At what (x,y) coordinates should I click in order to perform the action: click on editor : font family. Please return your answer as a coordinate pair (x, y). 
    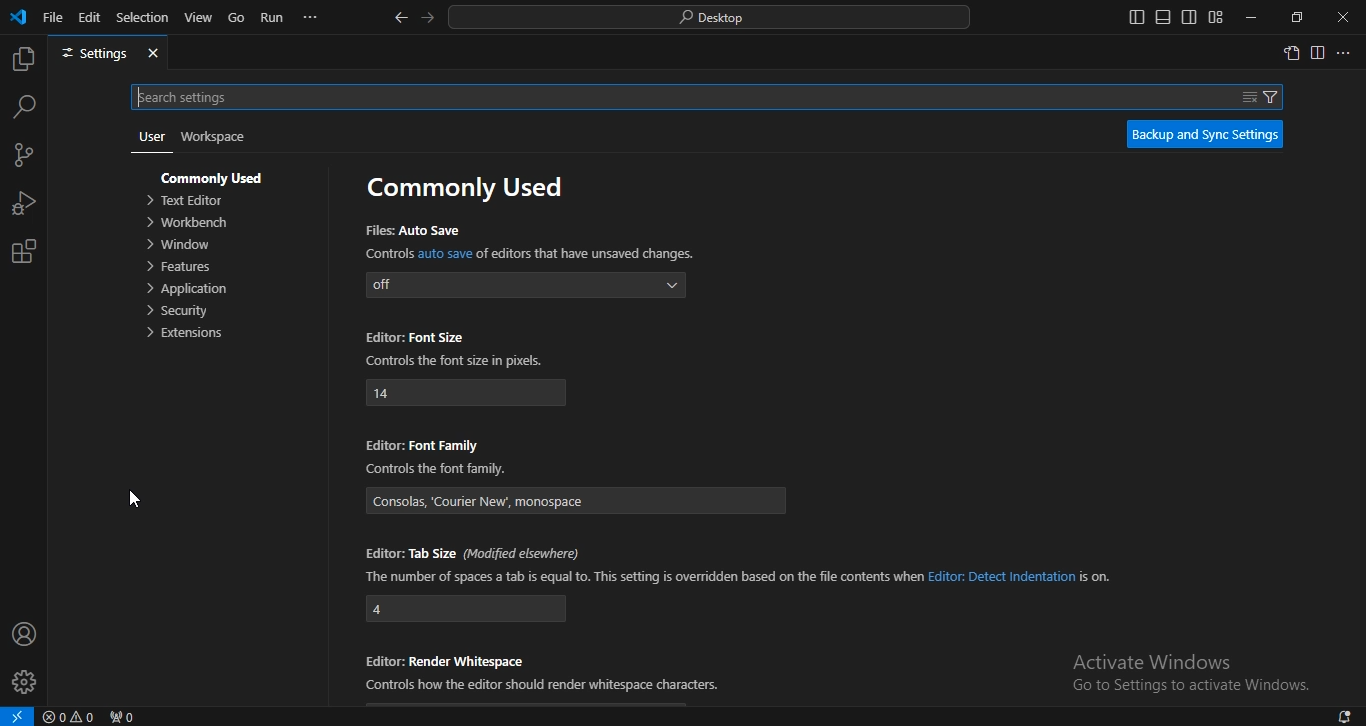
    Looking at the image, I should click on (577, 500).